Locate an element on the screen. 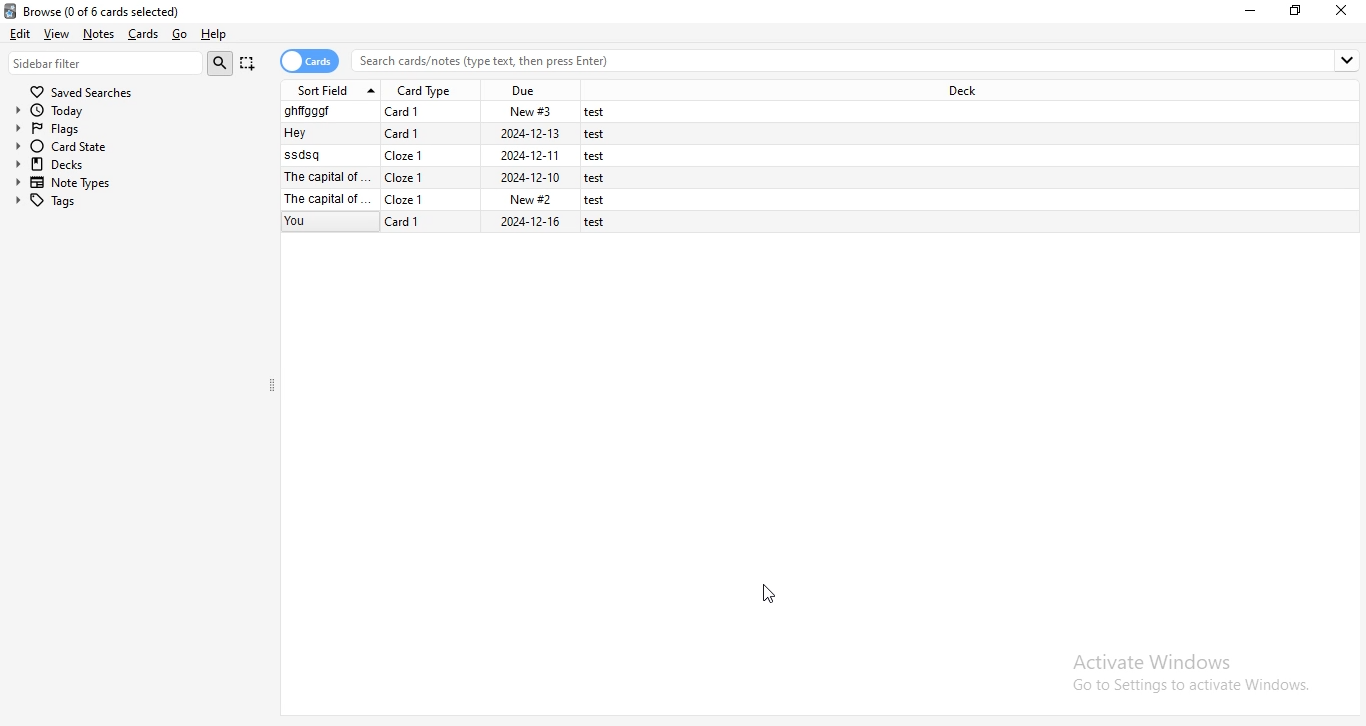  help is located at coordinates (219, 36).